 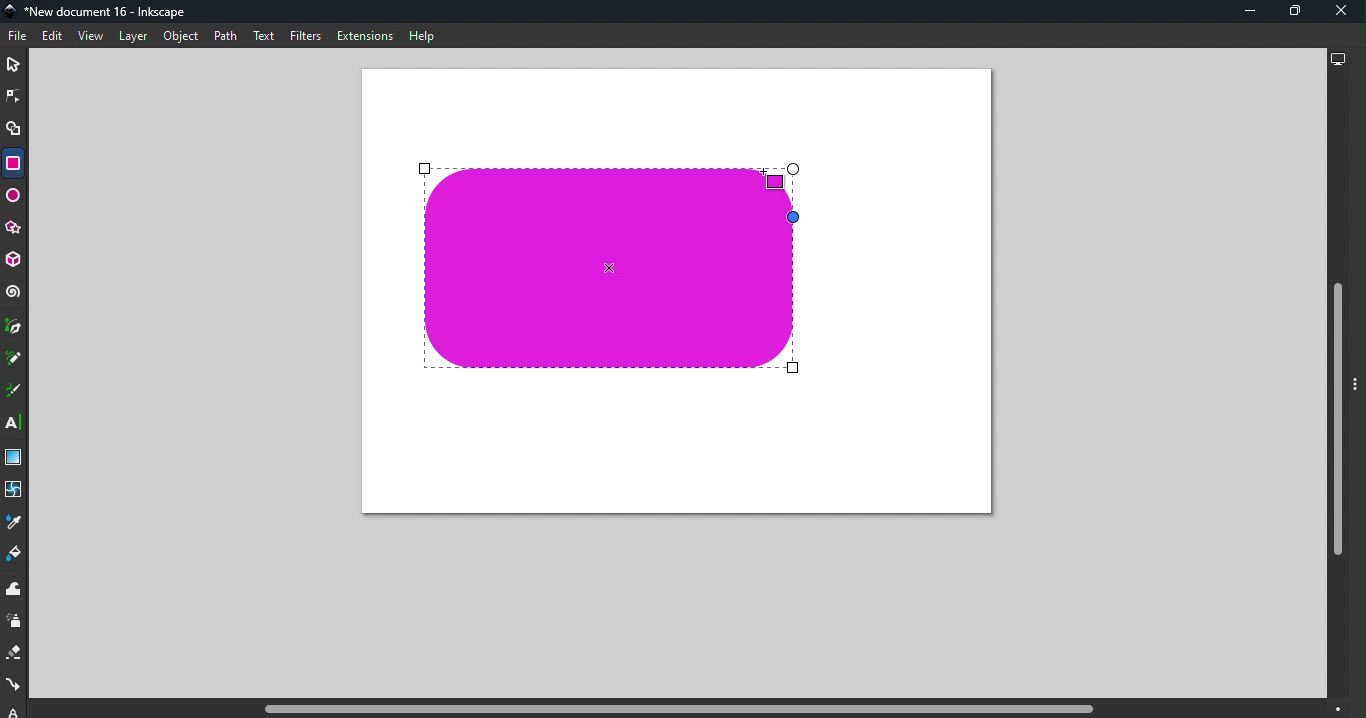 I want to click on Horizontal scroll bar, so click(x=682, y=709).